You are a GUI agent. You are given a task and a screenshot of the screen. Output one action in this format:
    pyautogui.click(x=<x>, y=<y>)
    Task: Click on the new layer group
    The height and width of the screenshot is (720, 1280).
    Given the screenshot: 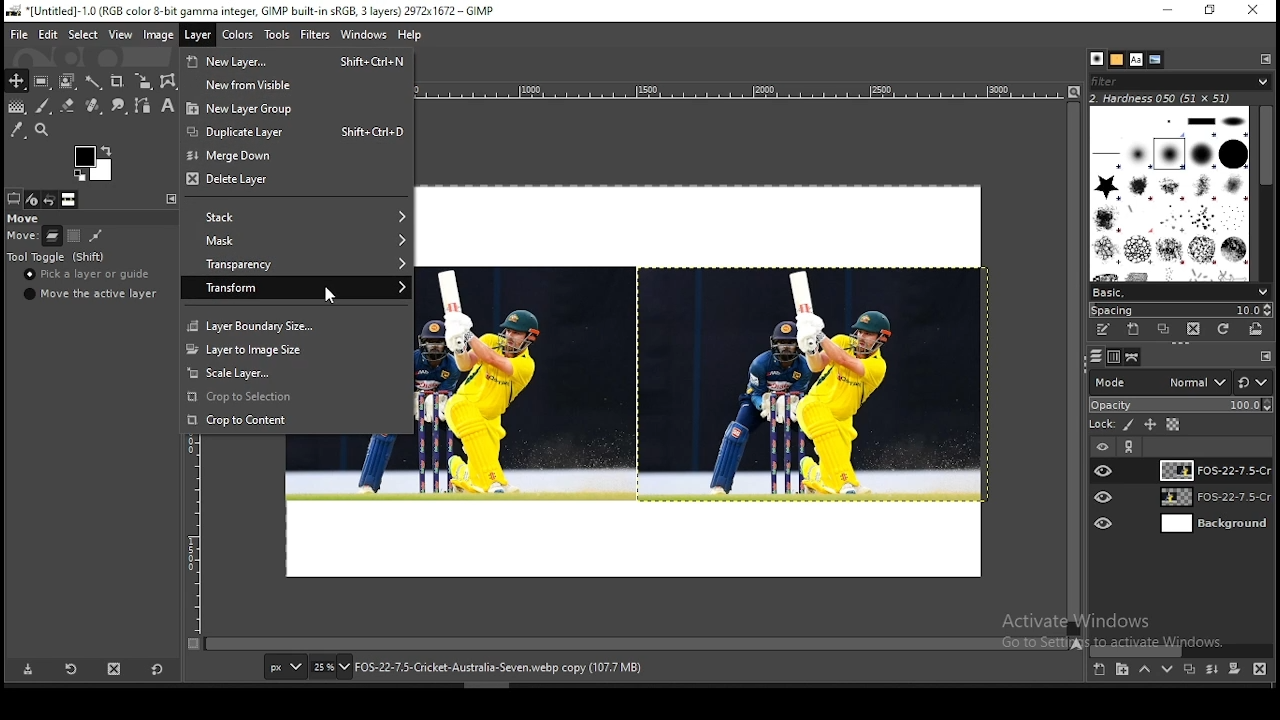 What is the action you would take?
    pyautogui.click(x=298, y=107)
    